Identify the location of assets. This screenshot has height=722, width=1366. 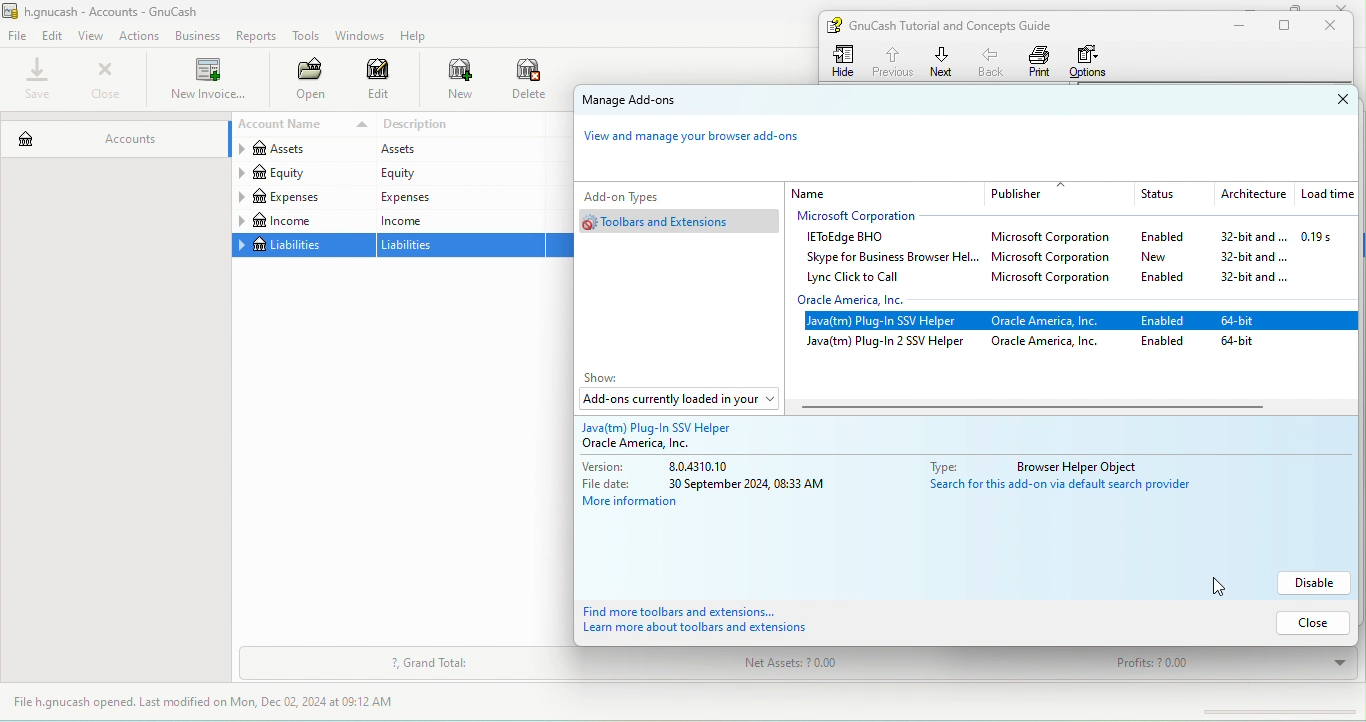
(456, 150).